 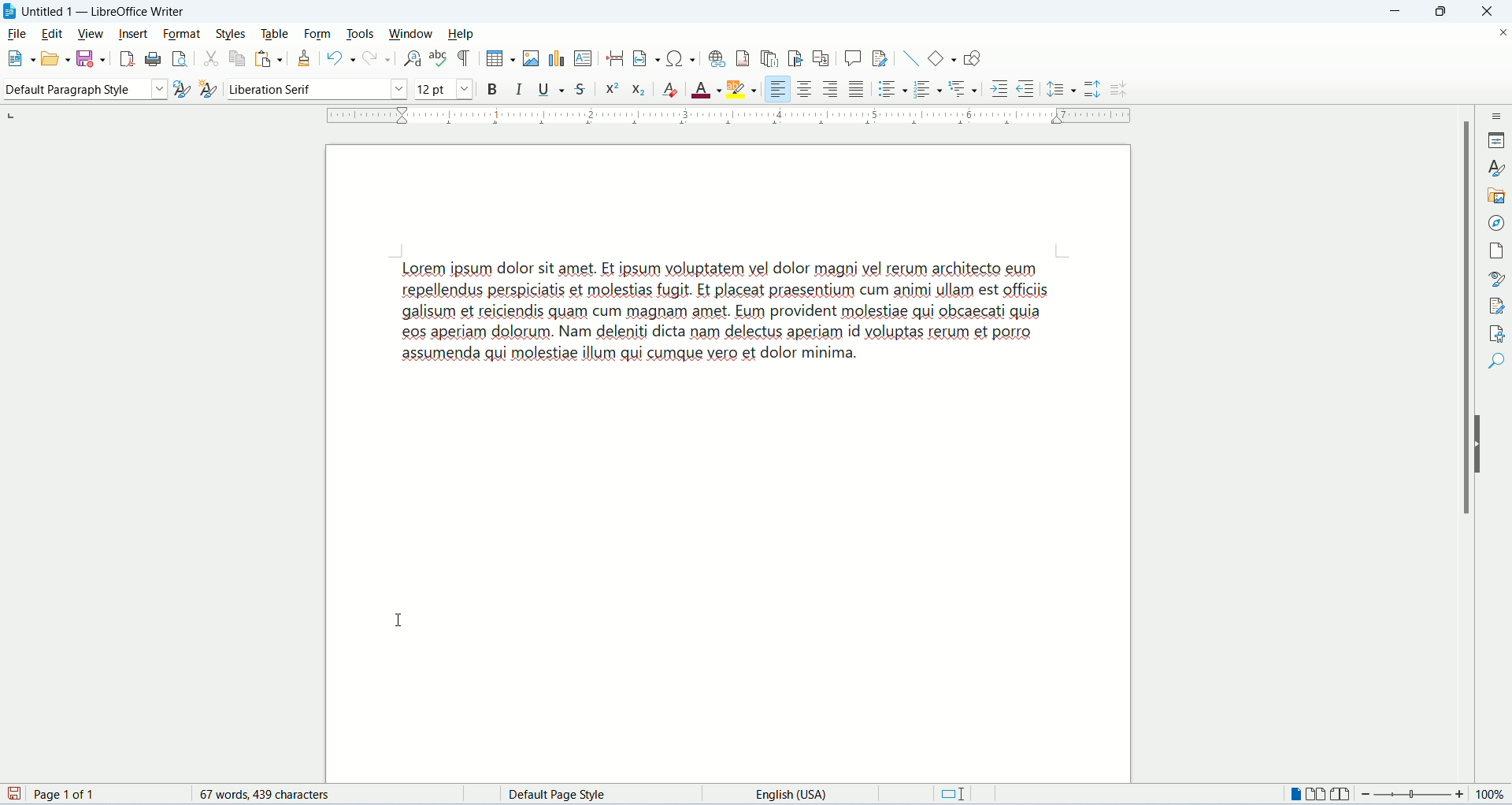 I want to click on cut, so click(x=208, y=59).